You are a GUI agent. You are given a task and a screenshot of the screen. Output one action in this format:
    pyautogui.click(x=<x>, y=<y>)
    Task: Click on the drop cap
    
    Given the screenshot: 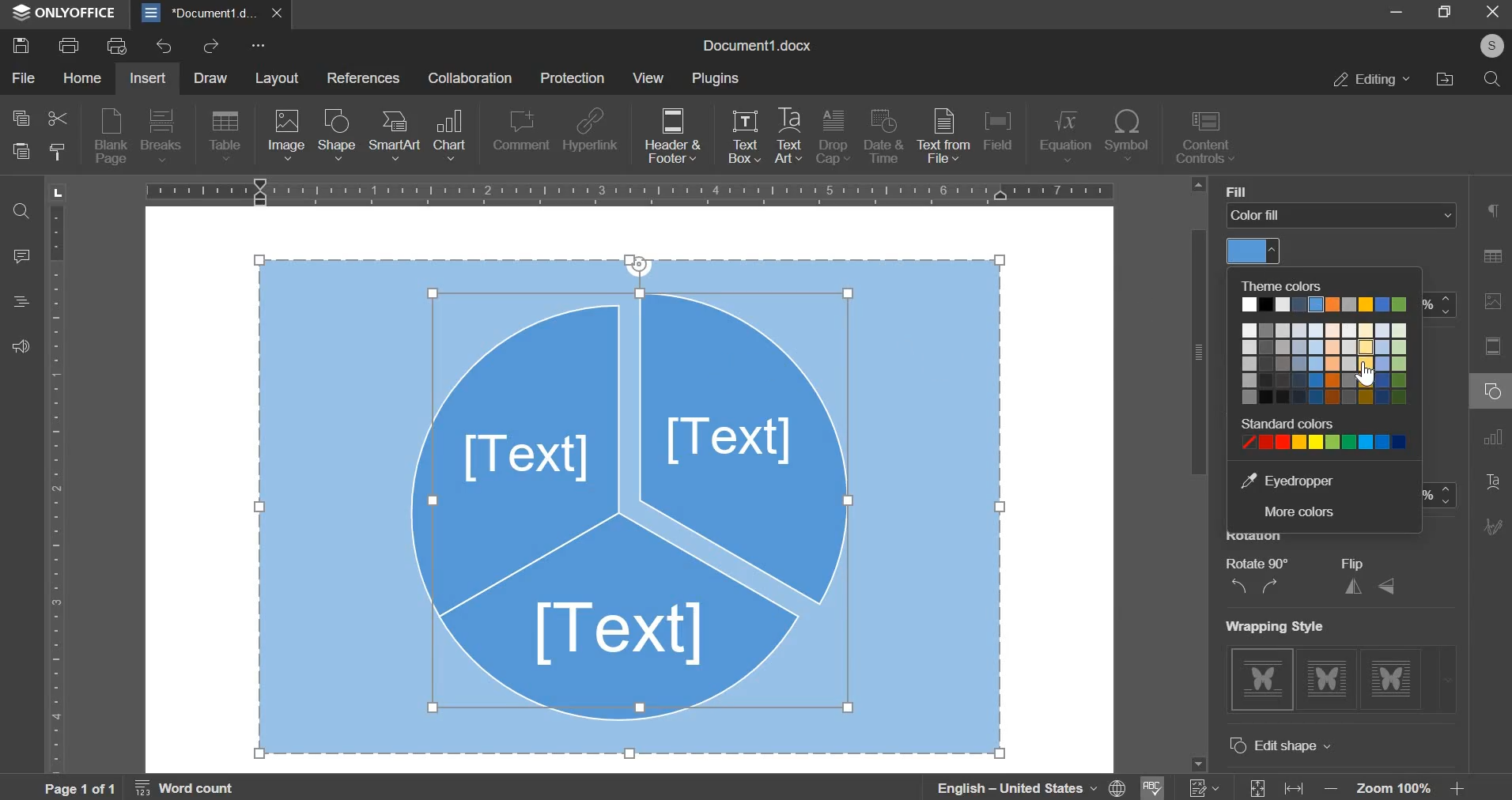 What is the action you would take?
    pyautogui.click(x=833, y=139)
    